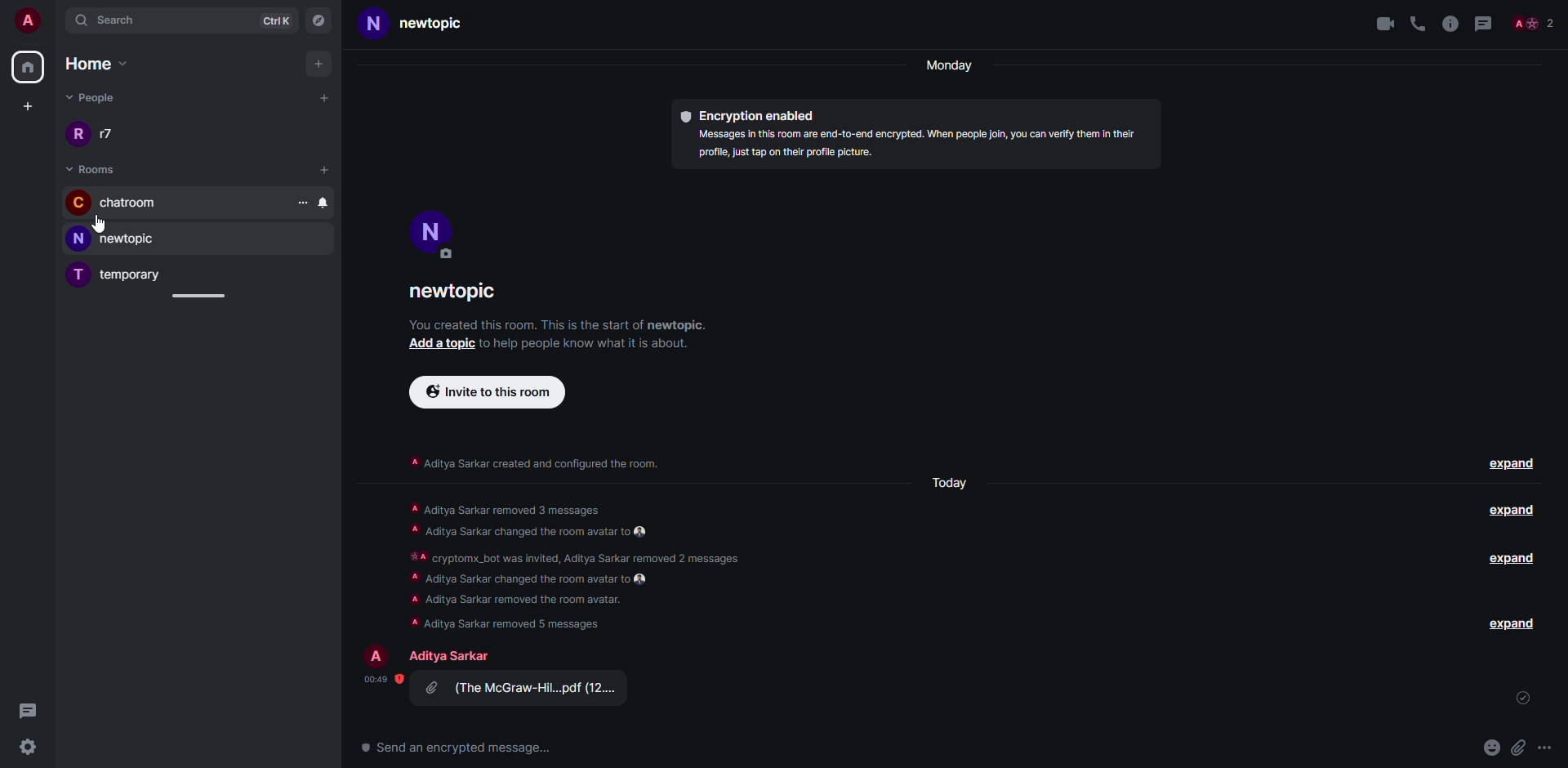 The width and height of the screenshot is (1568, 768). Describe the element at coordinates (278, 19) in the screenshot. I see `ctrlK` at that location.